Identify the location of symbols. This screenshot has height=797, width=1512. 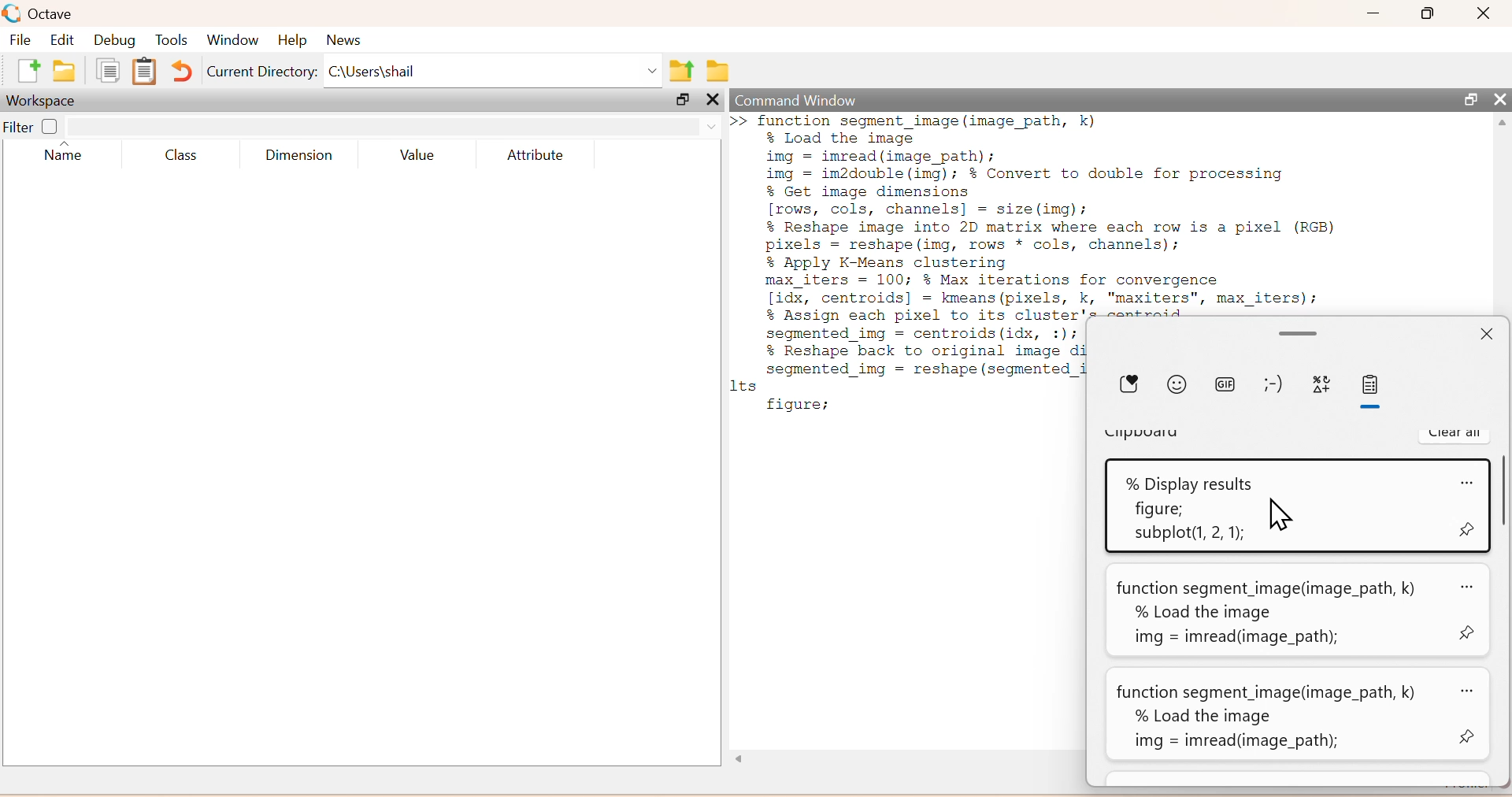
(1327, 385).